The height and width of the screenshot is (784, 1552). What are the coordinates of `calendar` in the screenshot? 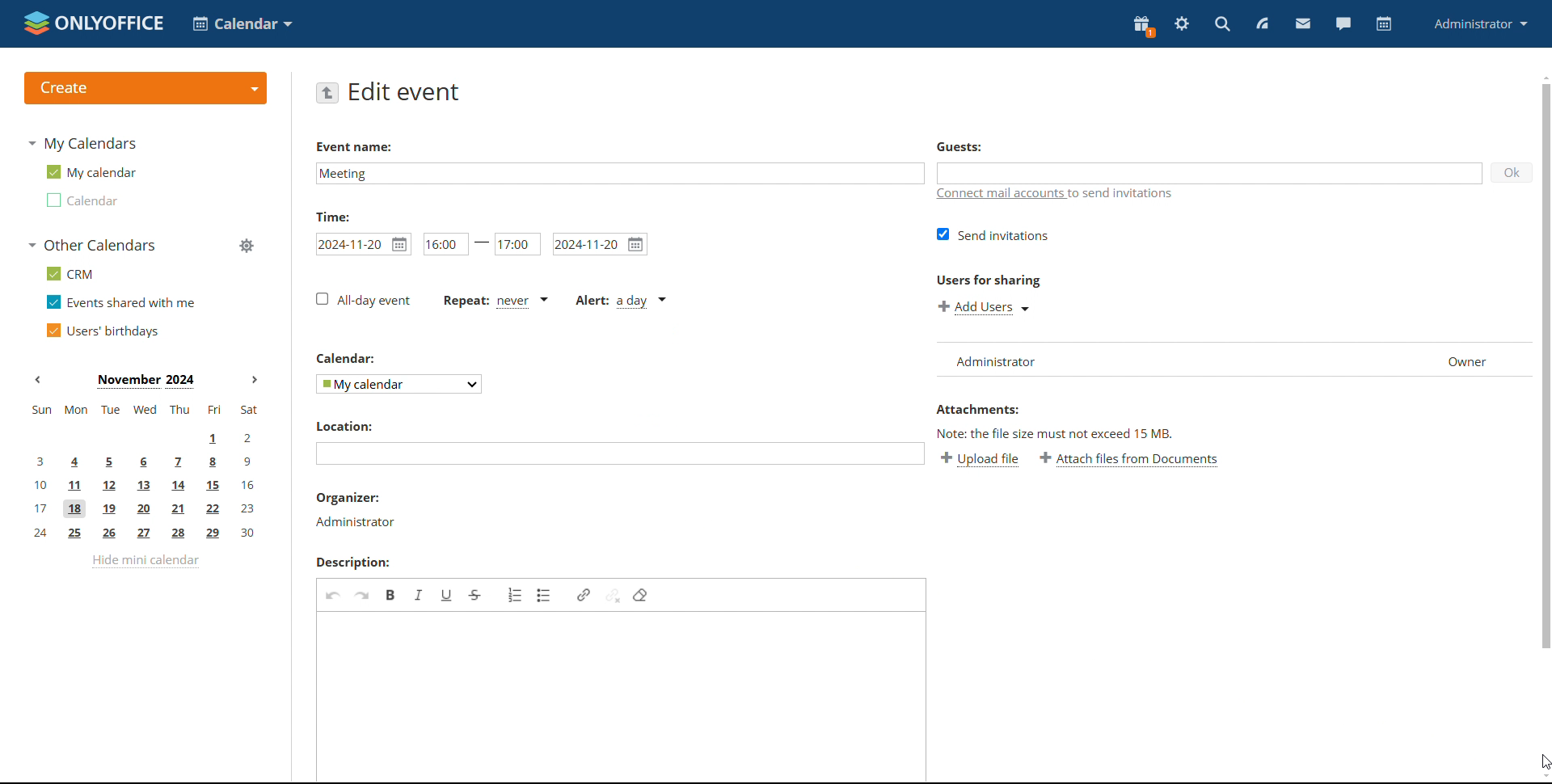 It's located at (1384, 24).